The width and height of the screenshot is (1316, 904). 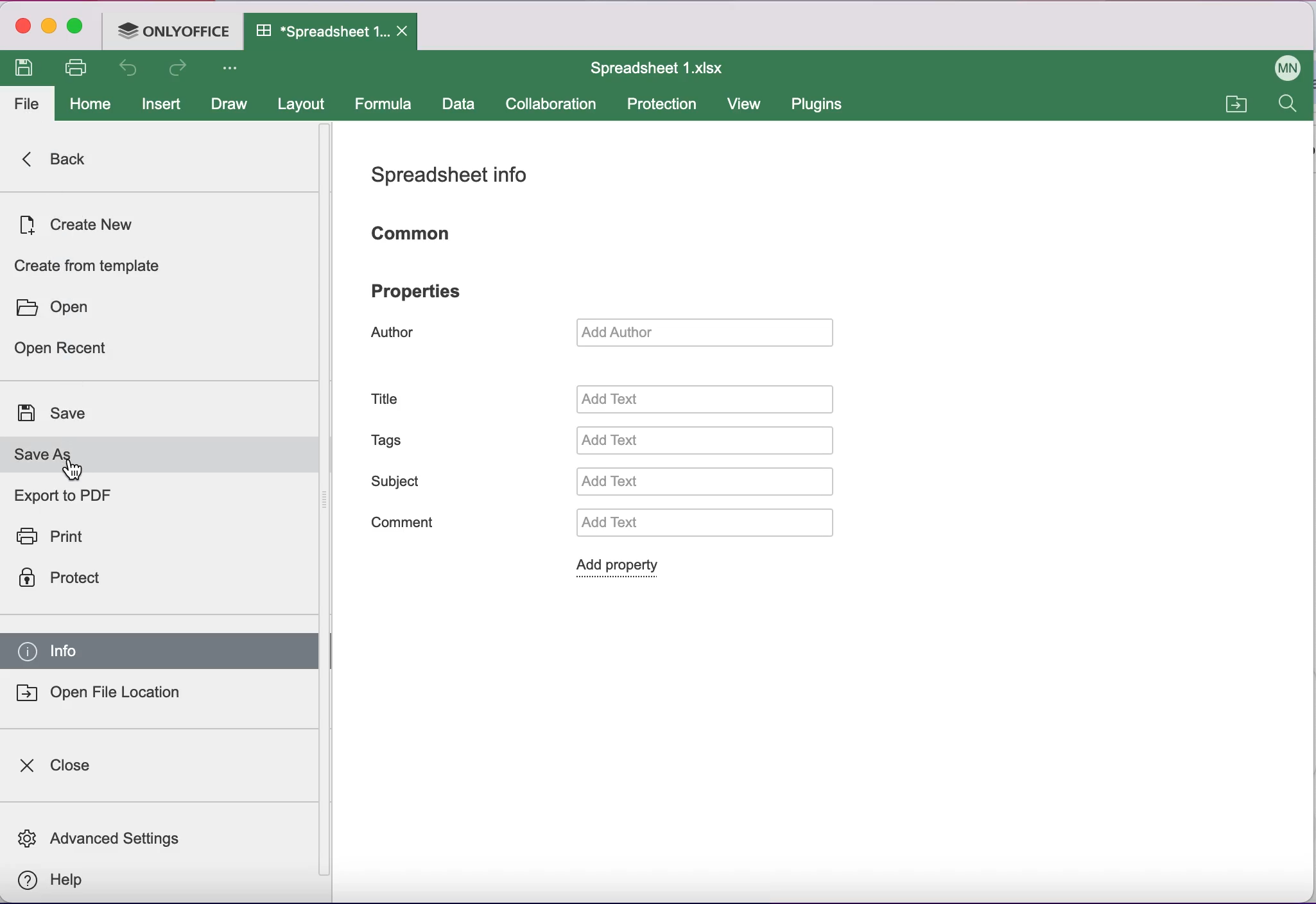 I want to click on properties, so click(x=418, y=292).